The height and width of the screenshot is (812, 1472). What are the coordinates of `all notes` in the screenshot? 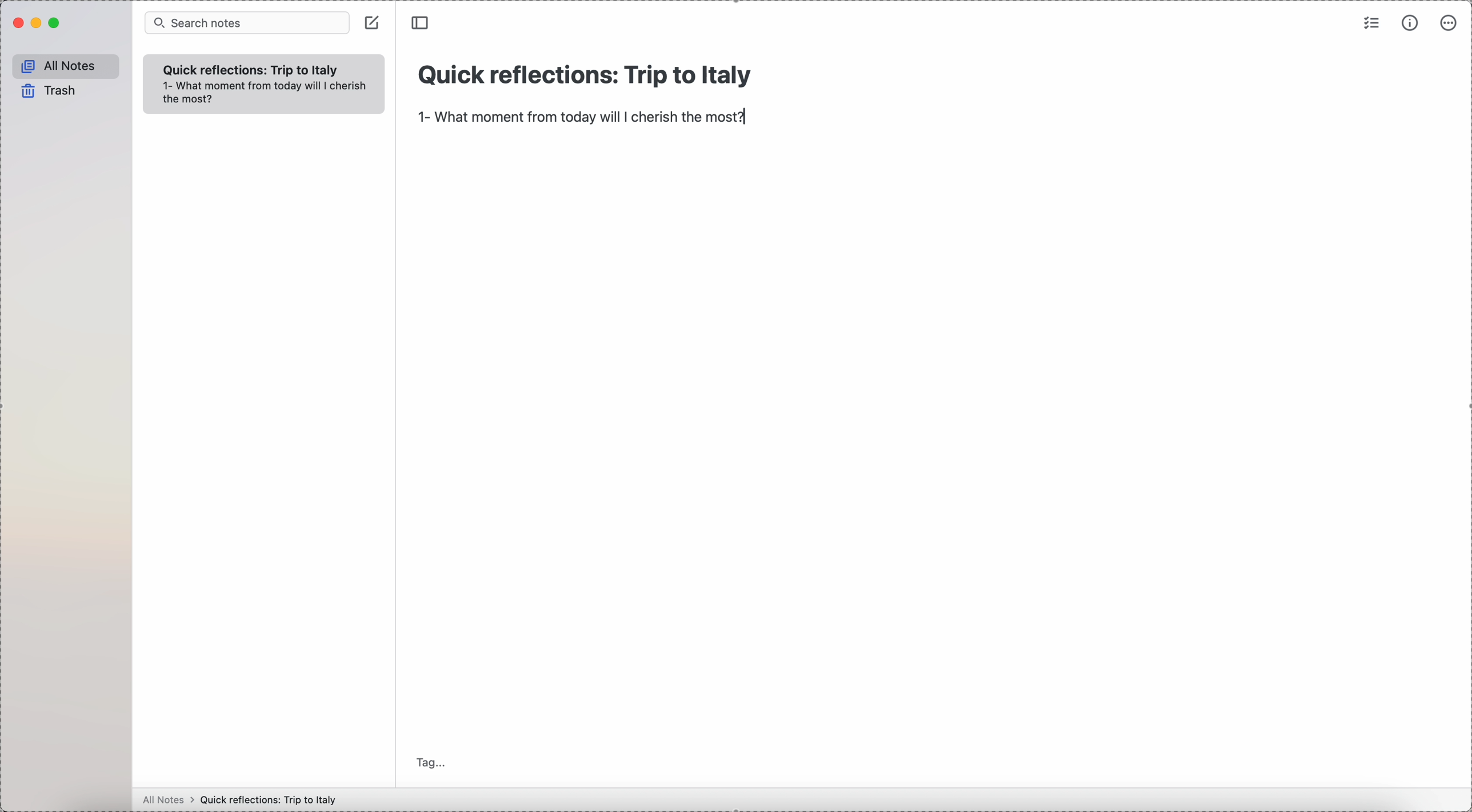 It's located at (165, 801).